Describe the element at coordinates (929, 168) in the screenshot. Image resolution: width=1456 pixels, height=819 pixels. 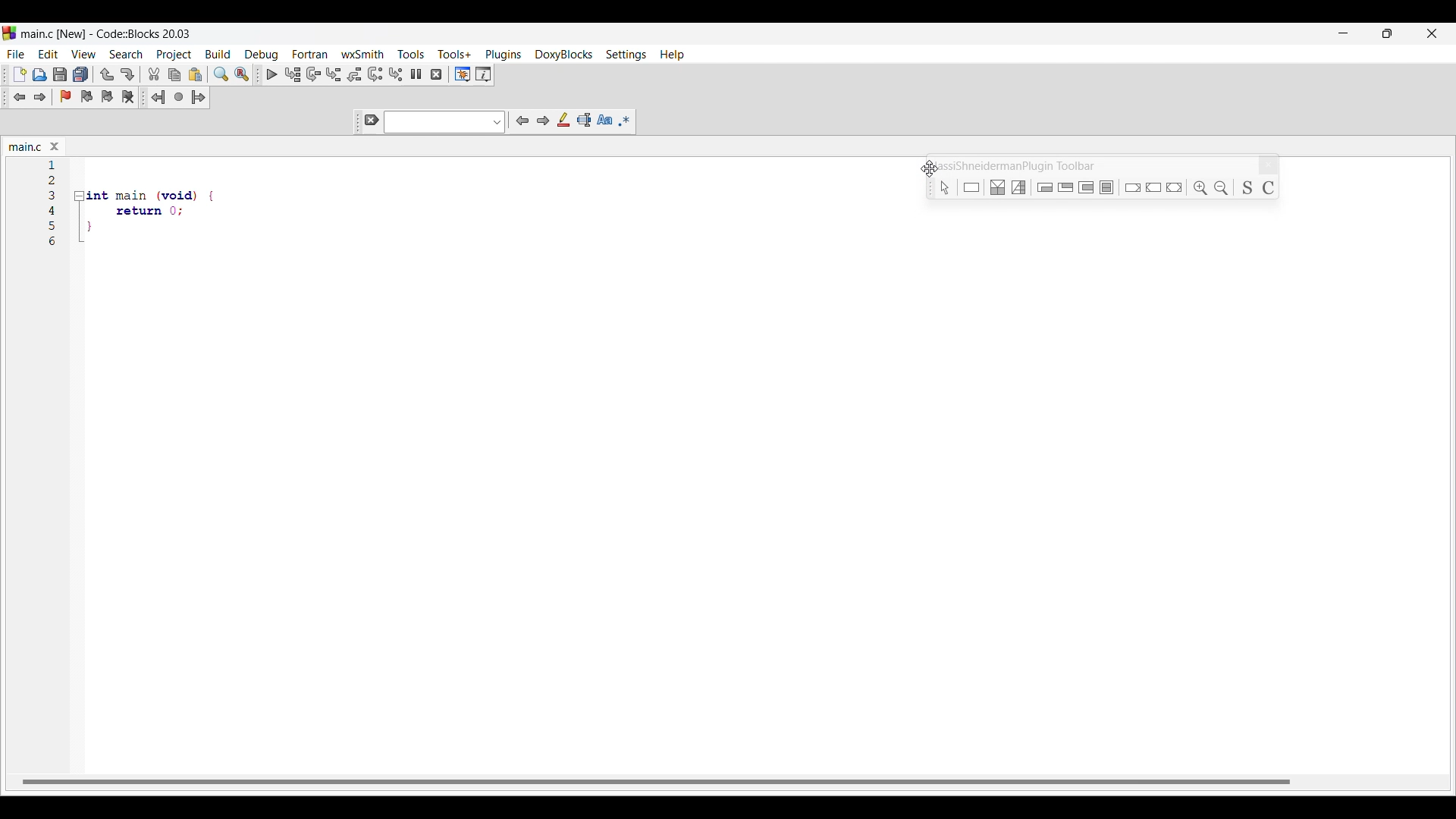
I see `Cursor position unchanged after dragging toolbar` at that location.